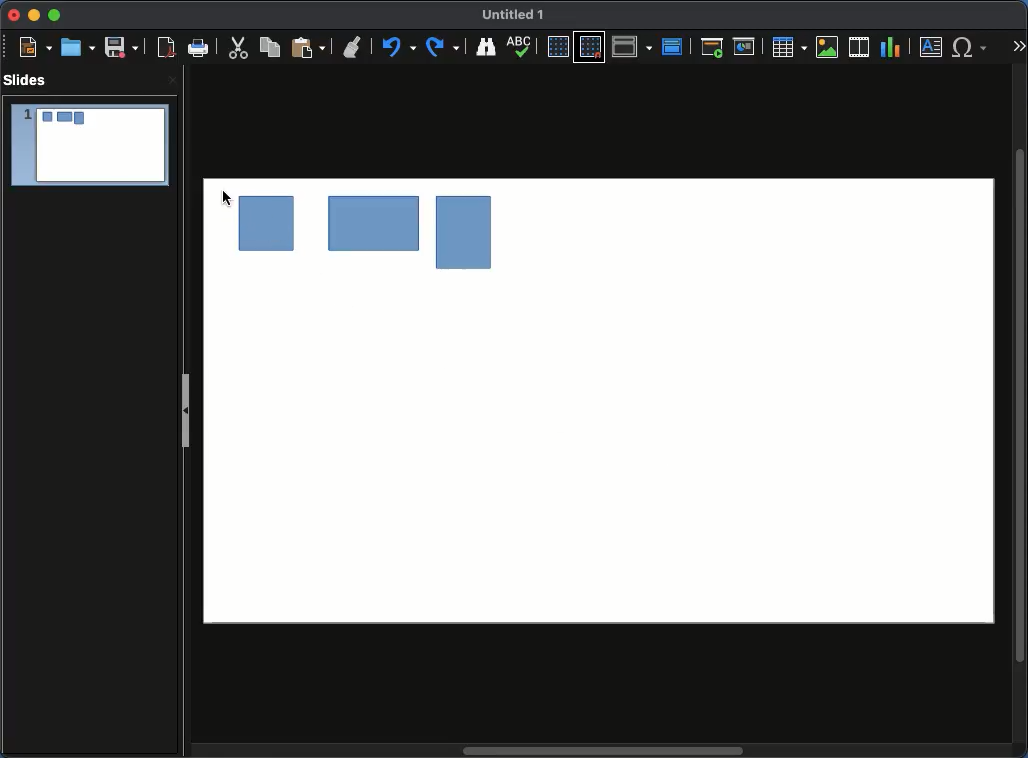 The height and width of the screenshot is (758, 1028). What do you see at coordinates (53, 15) in the screenshot?
I see `Maximize` at bounding box center [53, 15].